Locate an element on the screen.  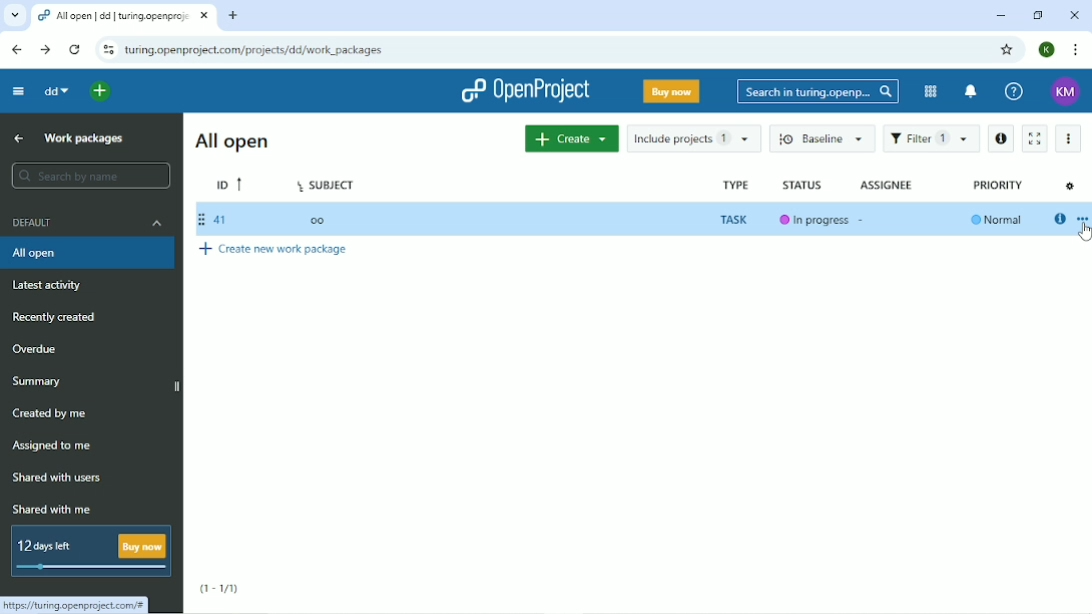
Search is located at coordinates (818, 92).